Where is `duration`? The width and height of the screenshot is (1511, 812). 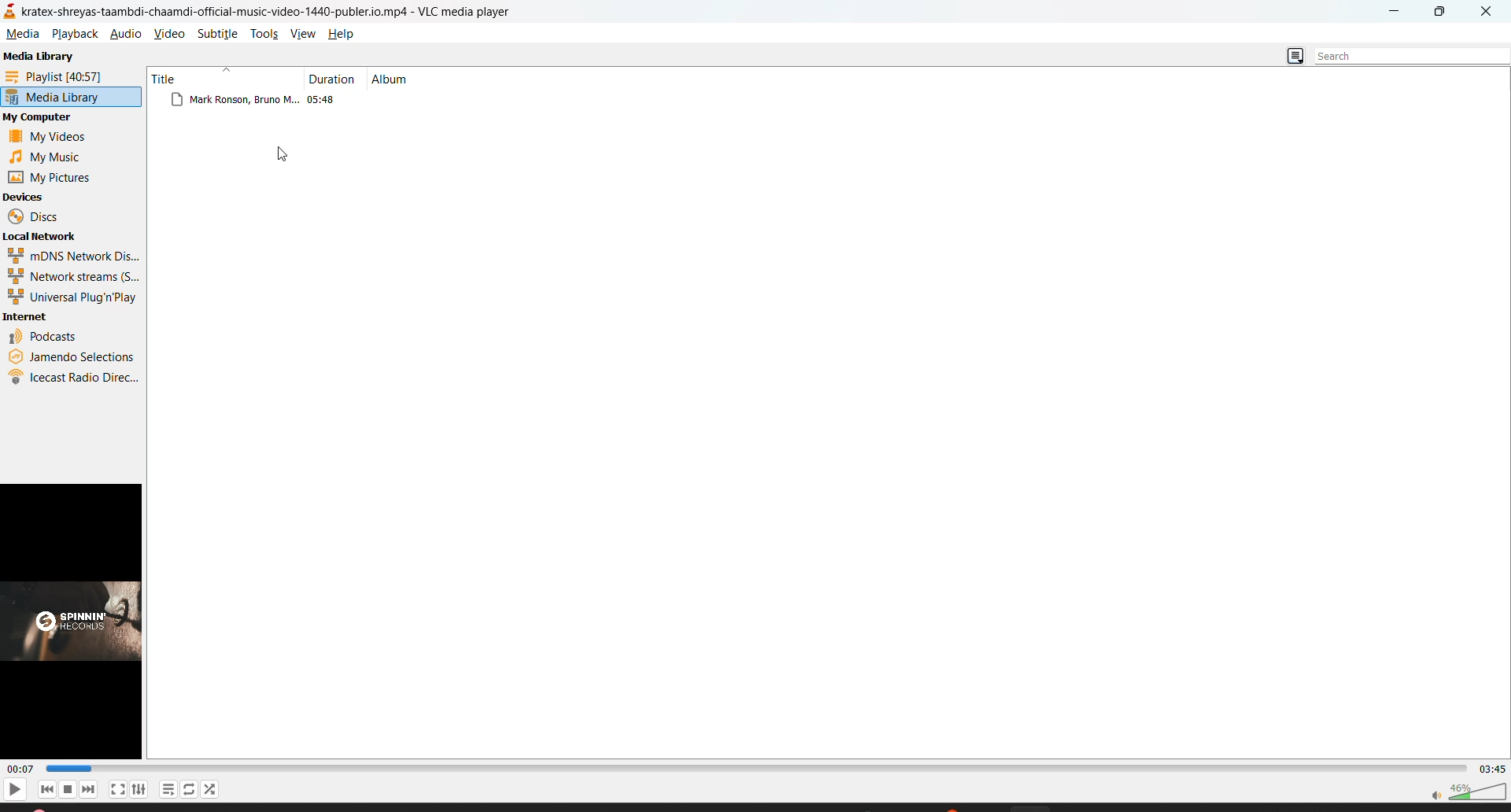
duration is located at coordinates (334, 76).